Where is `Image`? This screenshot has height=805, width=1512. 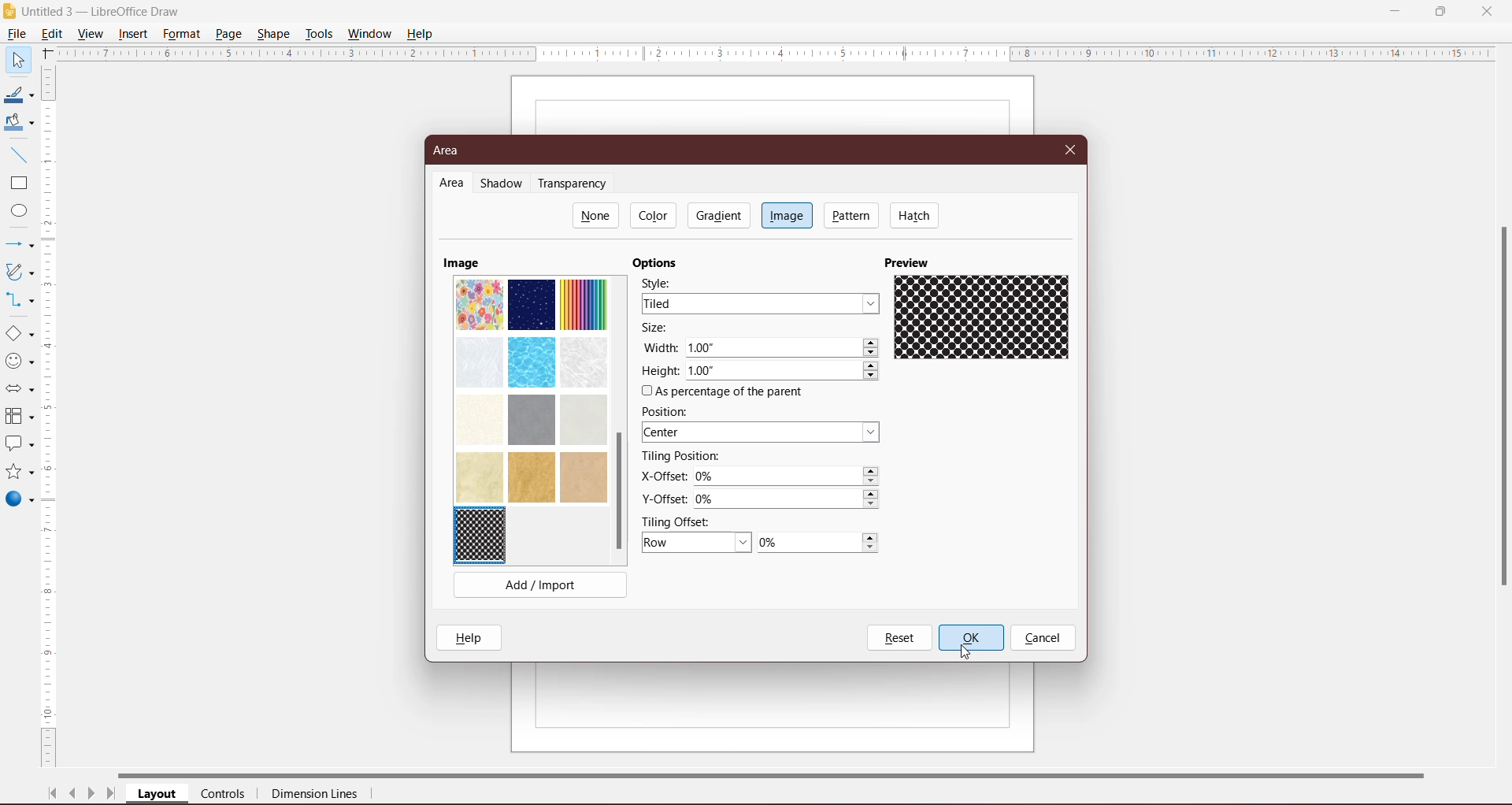
Image is located at coordinates (461, 262).